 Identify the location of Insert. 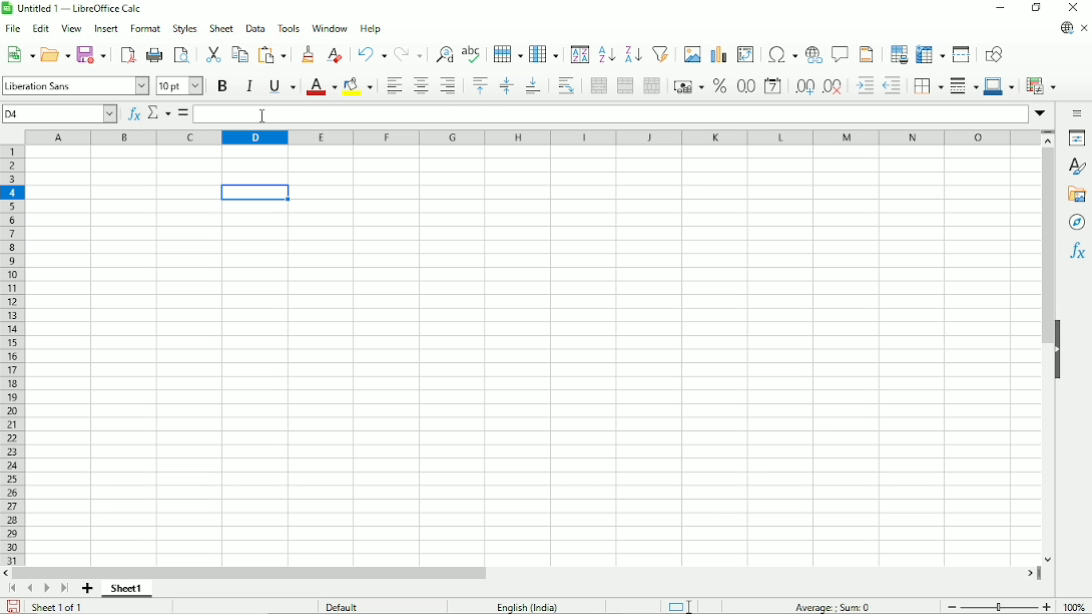
(107, 28).